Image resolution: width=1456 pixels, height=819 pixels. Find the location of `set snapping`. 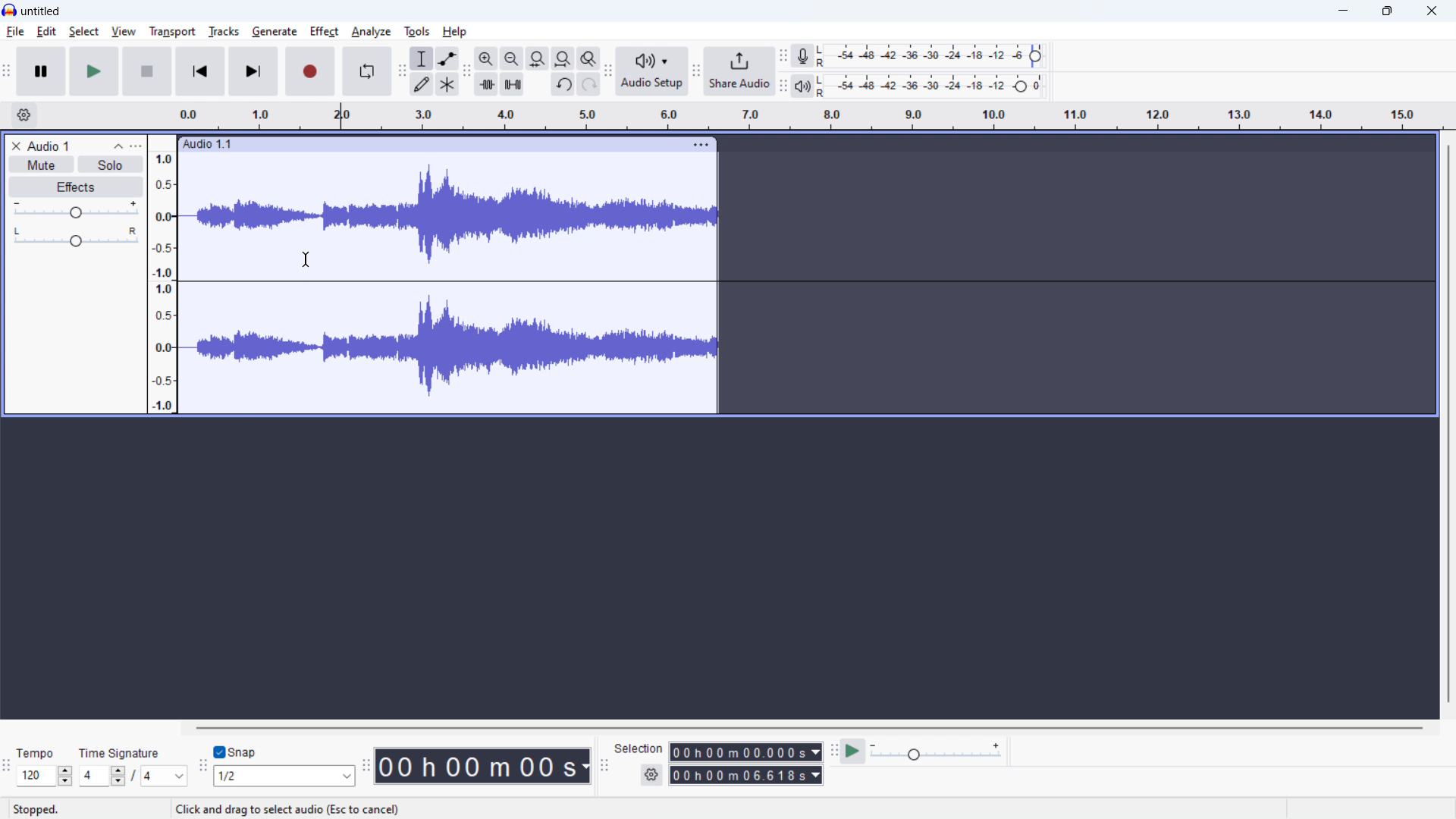

set snapping is located at coordinates (284, 776).